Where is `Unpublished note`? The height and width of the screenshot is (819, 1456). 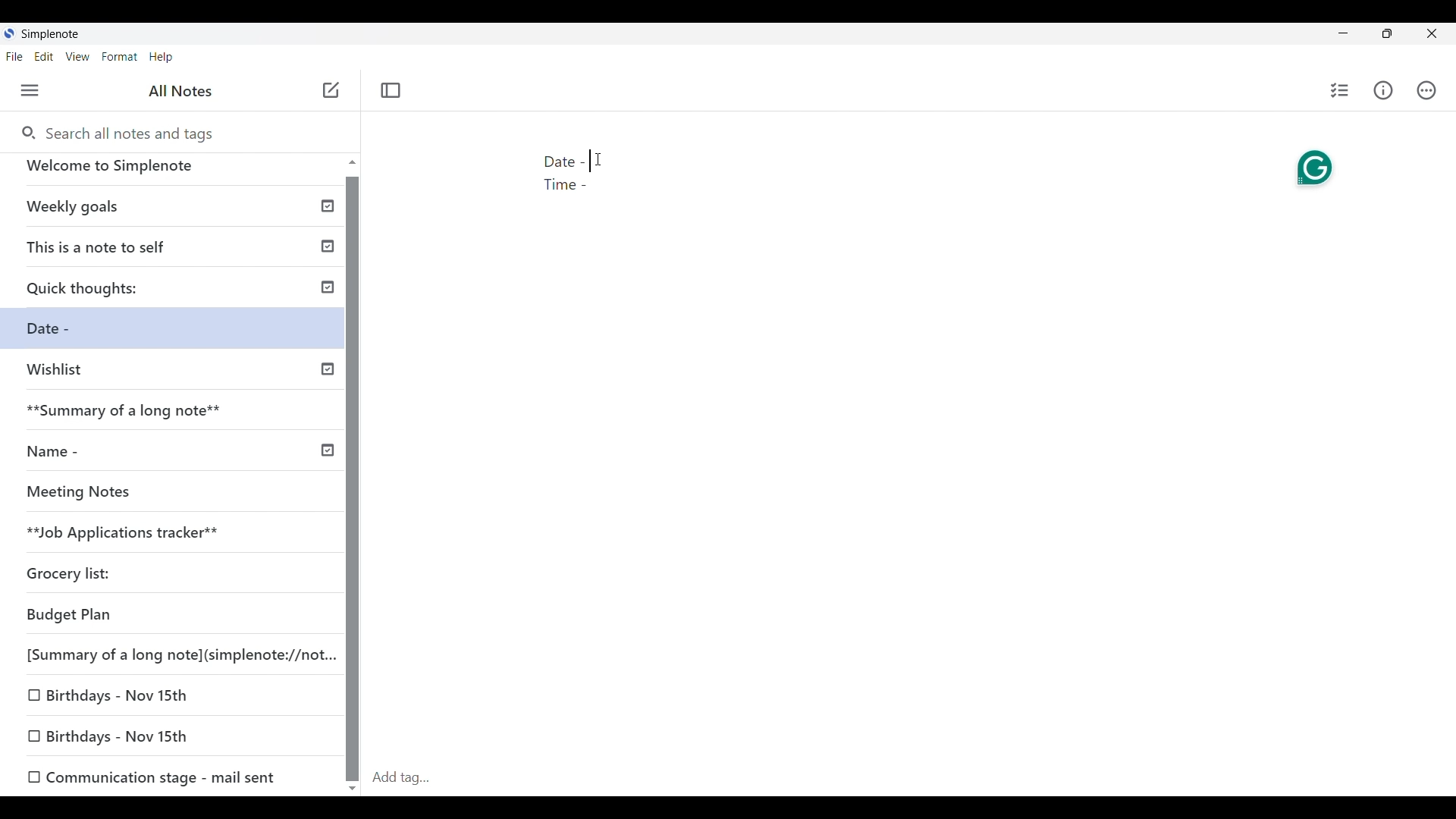 Unpublished note is located at coordinates (152, 775).